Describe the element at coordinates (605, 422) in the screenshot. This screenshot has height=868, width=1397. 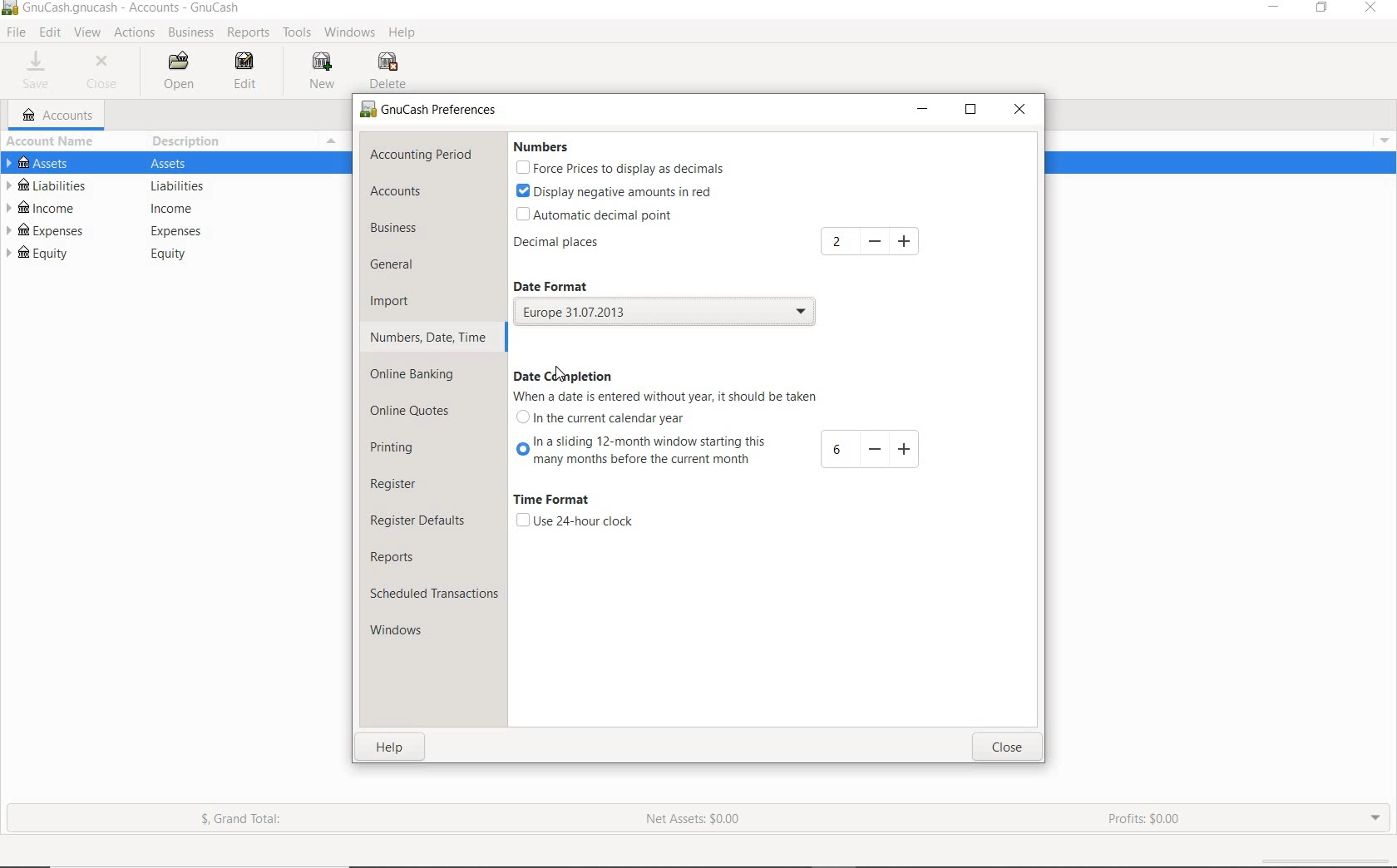
I see `in the current calendar year` at that location.